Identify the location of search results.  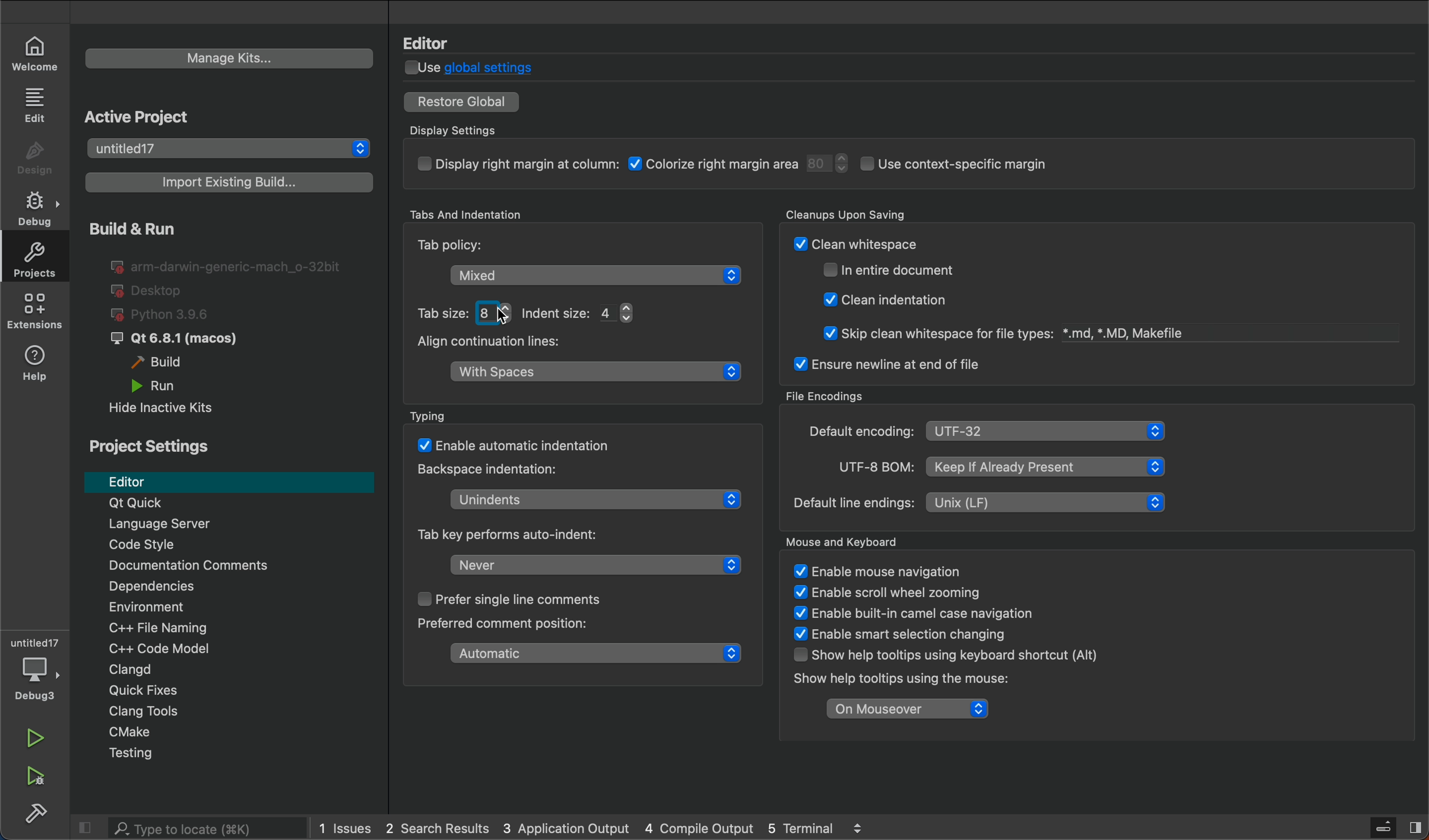
(439, 829).